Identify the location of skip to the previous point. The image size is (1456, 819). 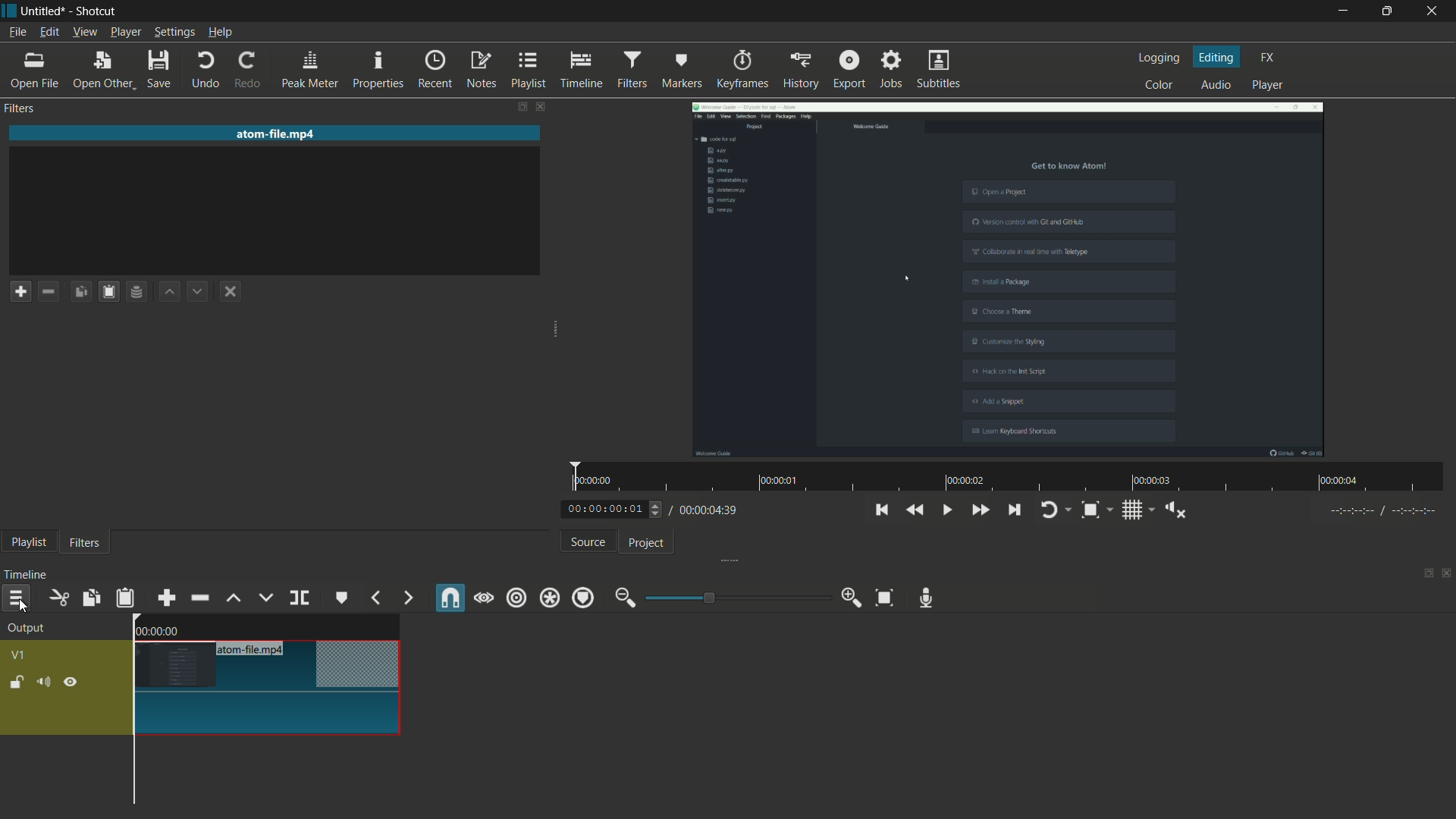
(880, 510).